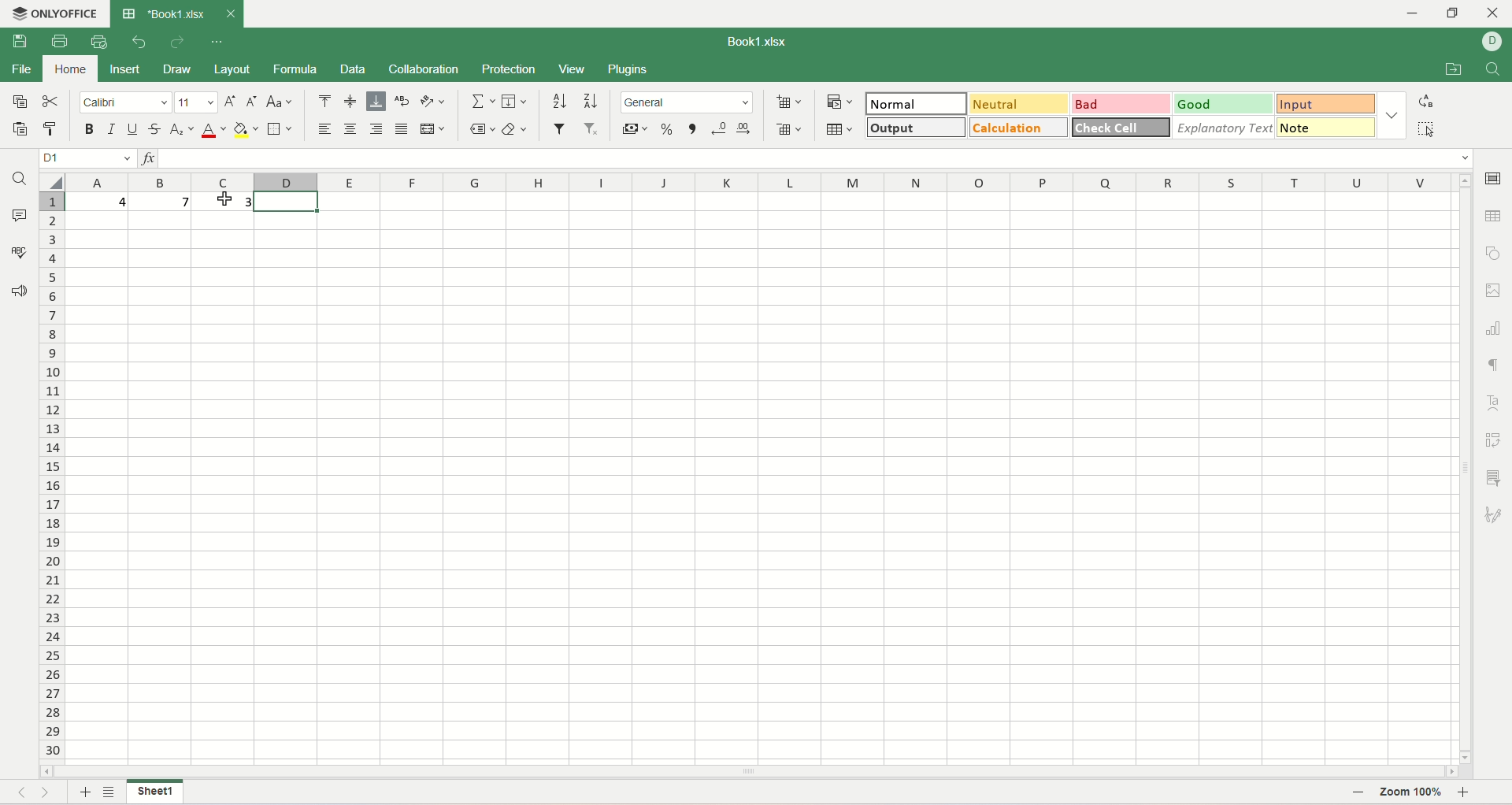 The image size is (1512, 805). Describe the element at coordinates (18, 252) in the screenshot. I see `spell check` at that location.